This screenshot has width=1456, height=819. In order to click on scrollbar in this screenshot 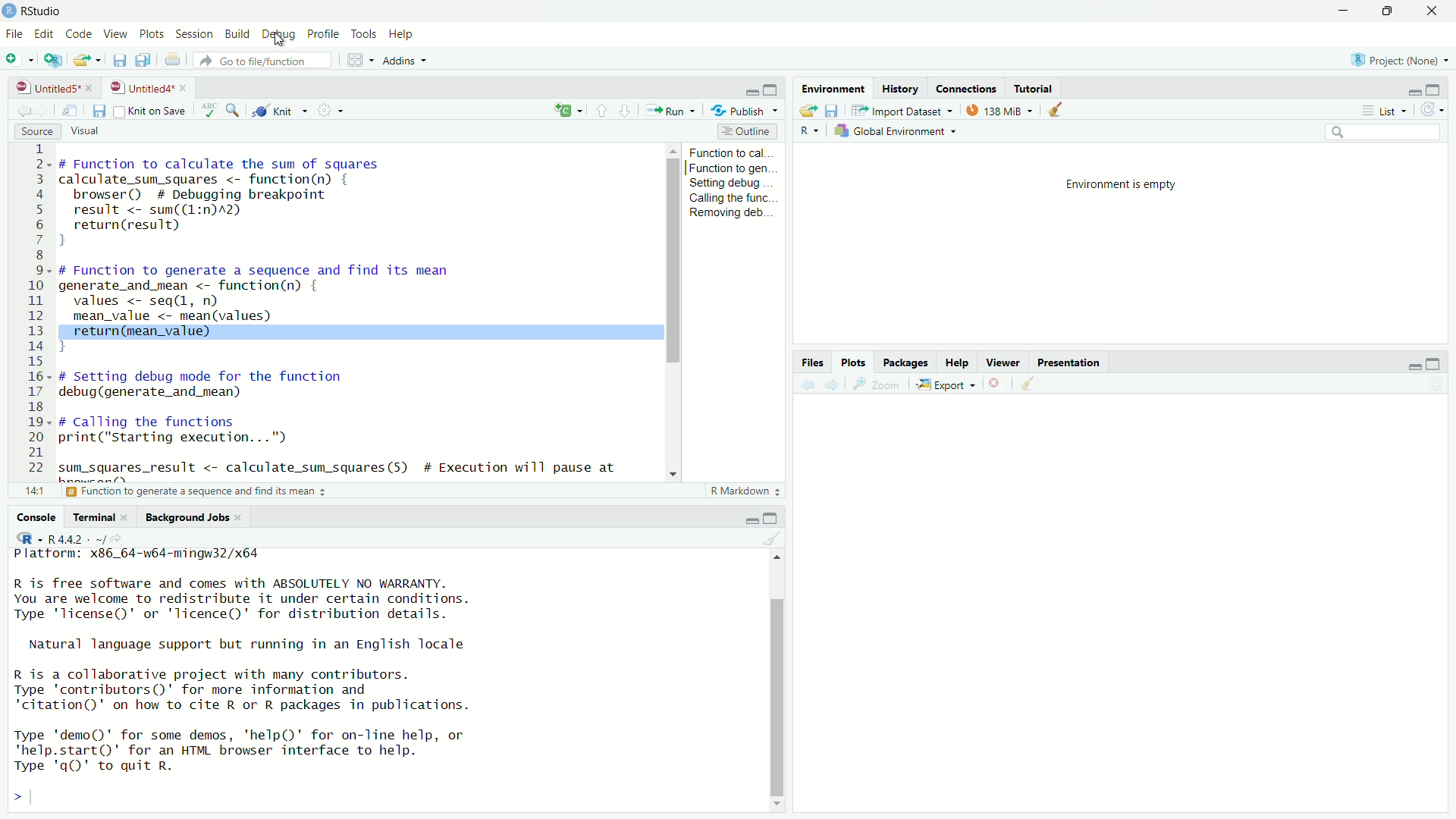, I will do `click(780, 687)`.